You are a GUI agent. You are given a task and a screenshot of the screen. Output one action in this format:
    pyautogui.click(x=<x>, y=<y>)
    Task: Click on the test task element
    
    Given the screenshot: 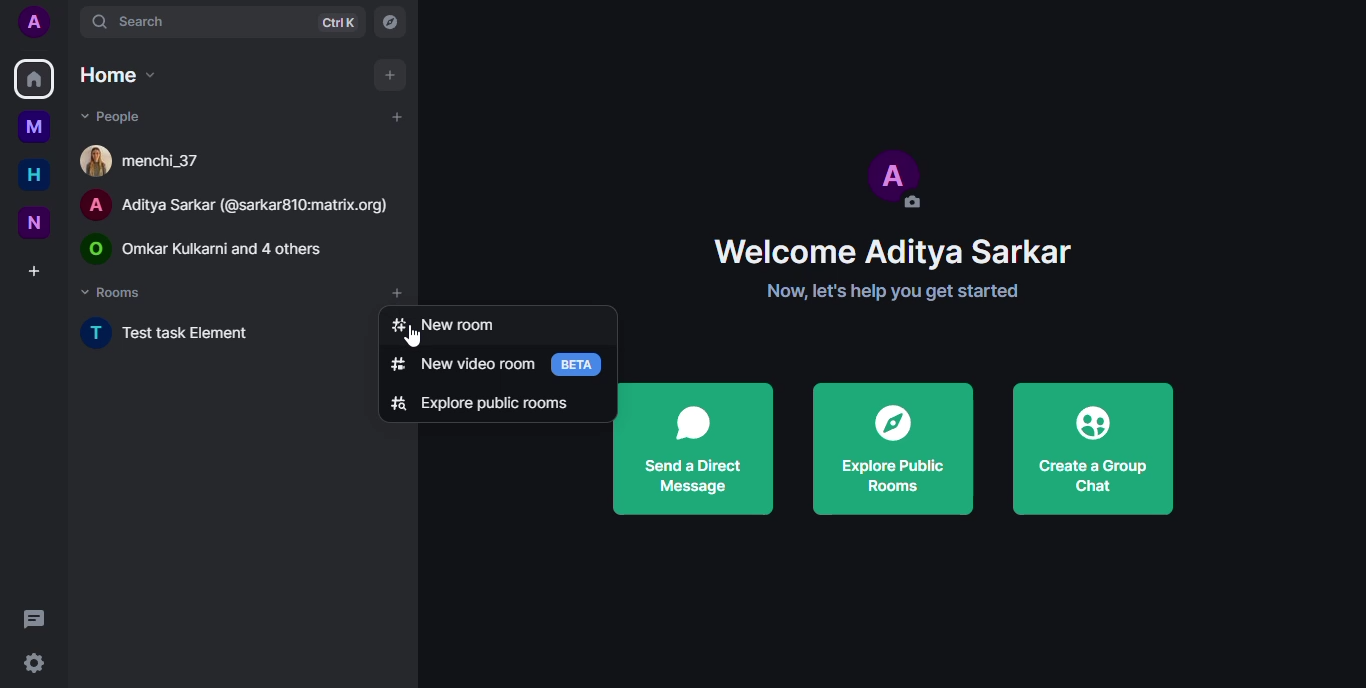 What is the action you would take?
    pyautogui.click(x=183, y=336)
    